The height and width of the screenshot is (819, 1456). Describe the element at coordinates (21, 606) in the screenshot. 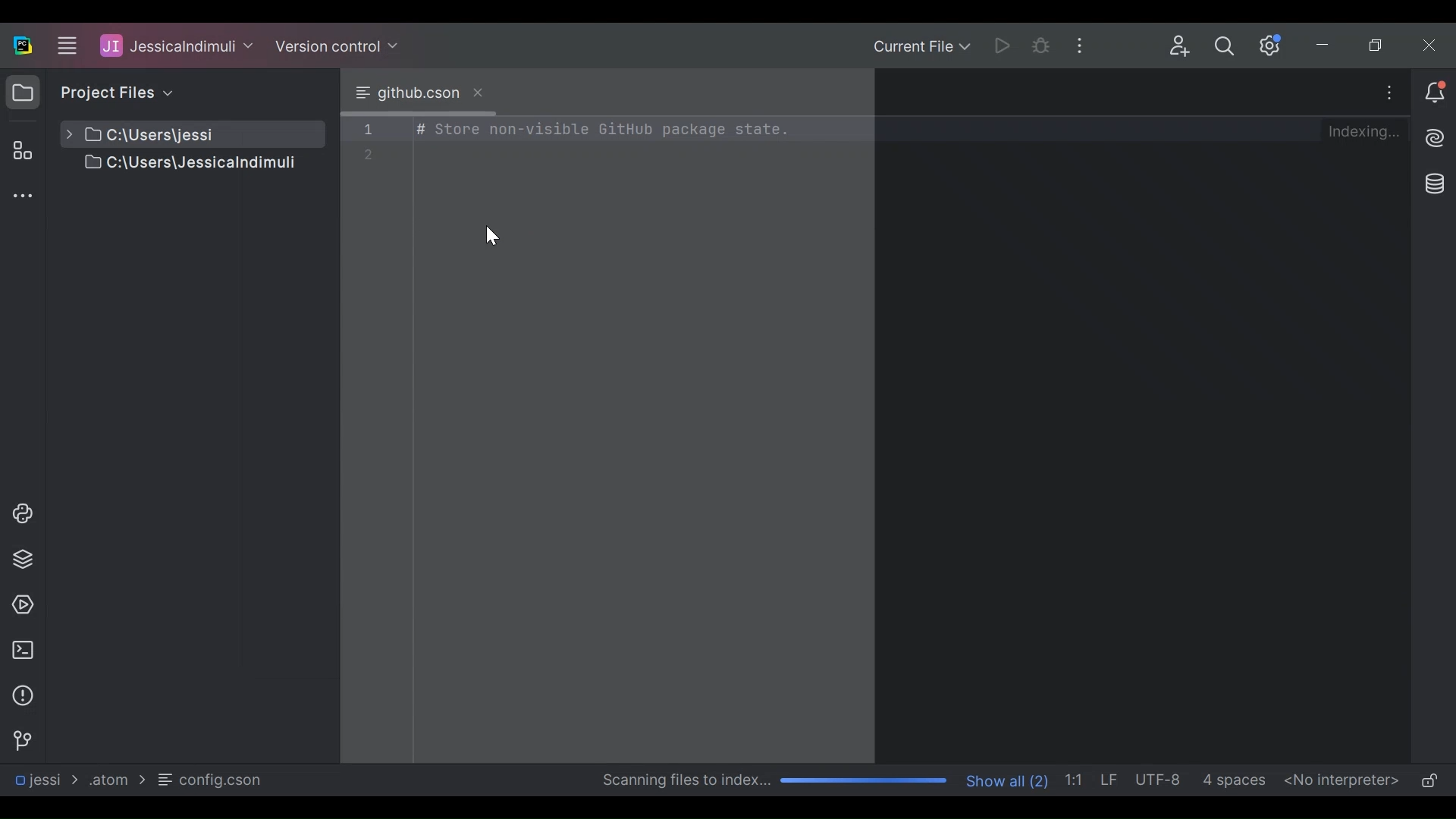

I see `Services` at that location.